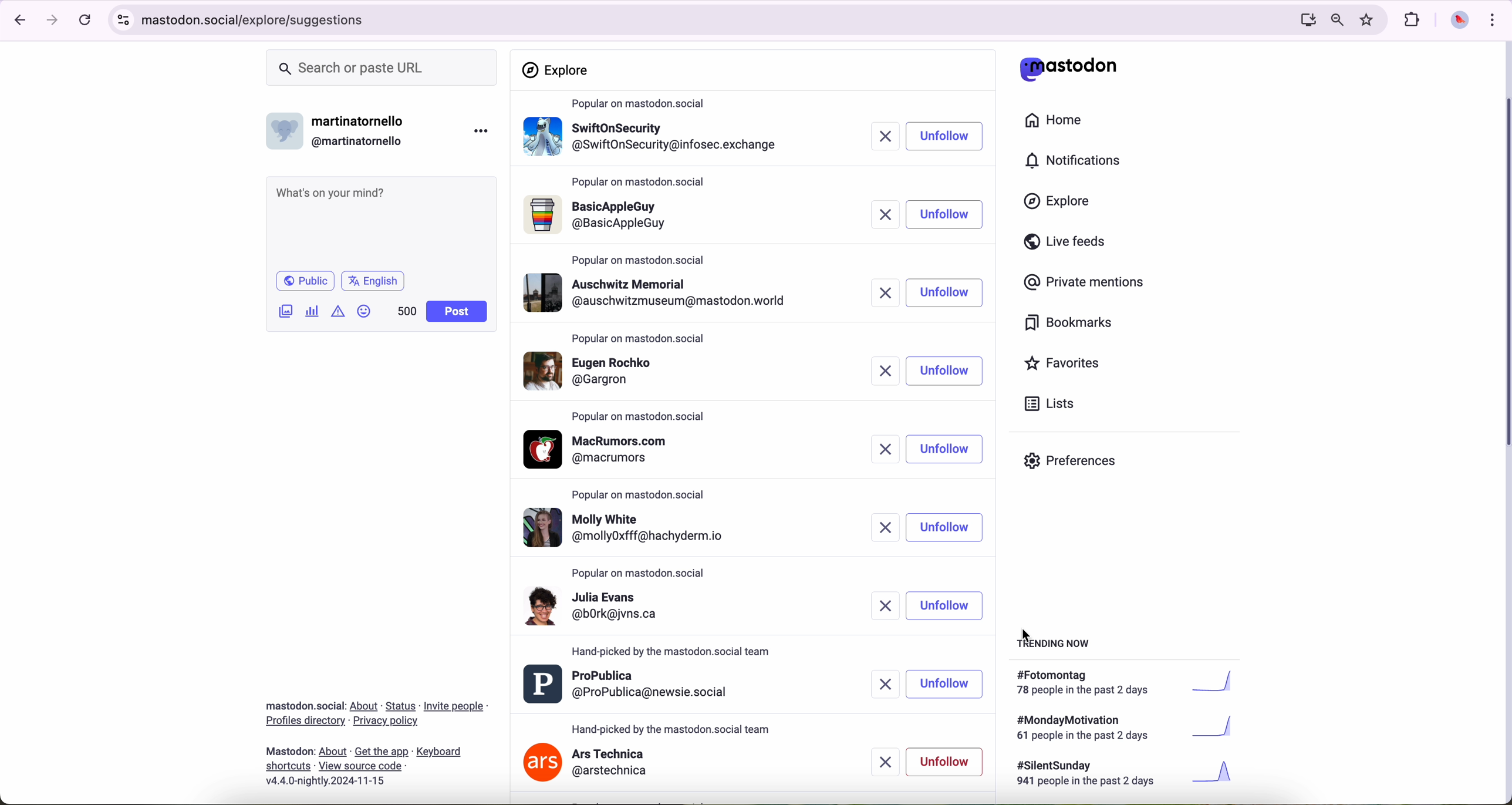 Image resolution: width=1512 pixels, height=805 pixels. What do you see at coordinates (341, 128) in the screenshot?
I see `username` at bounding box center [341, 128].